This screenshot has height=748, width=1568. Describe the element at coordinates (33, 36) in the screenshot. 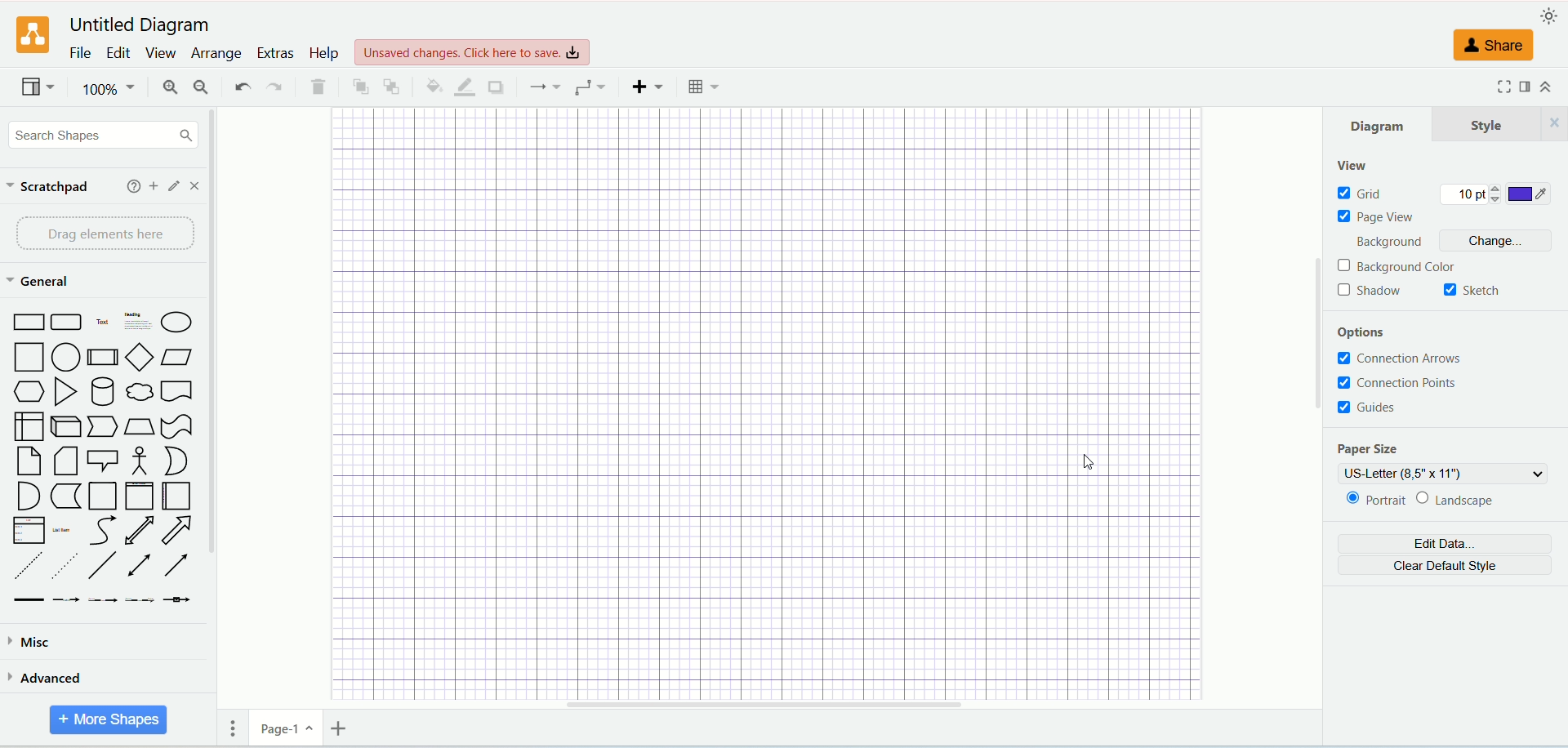

I see `logo` at that location.